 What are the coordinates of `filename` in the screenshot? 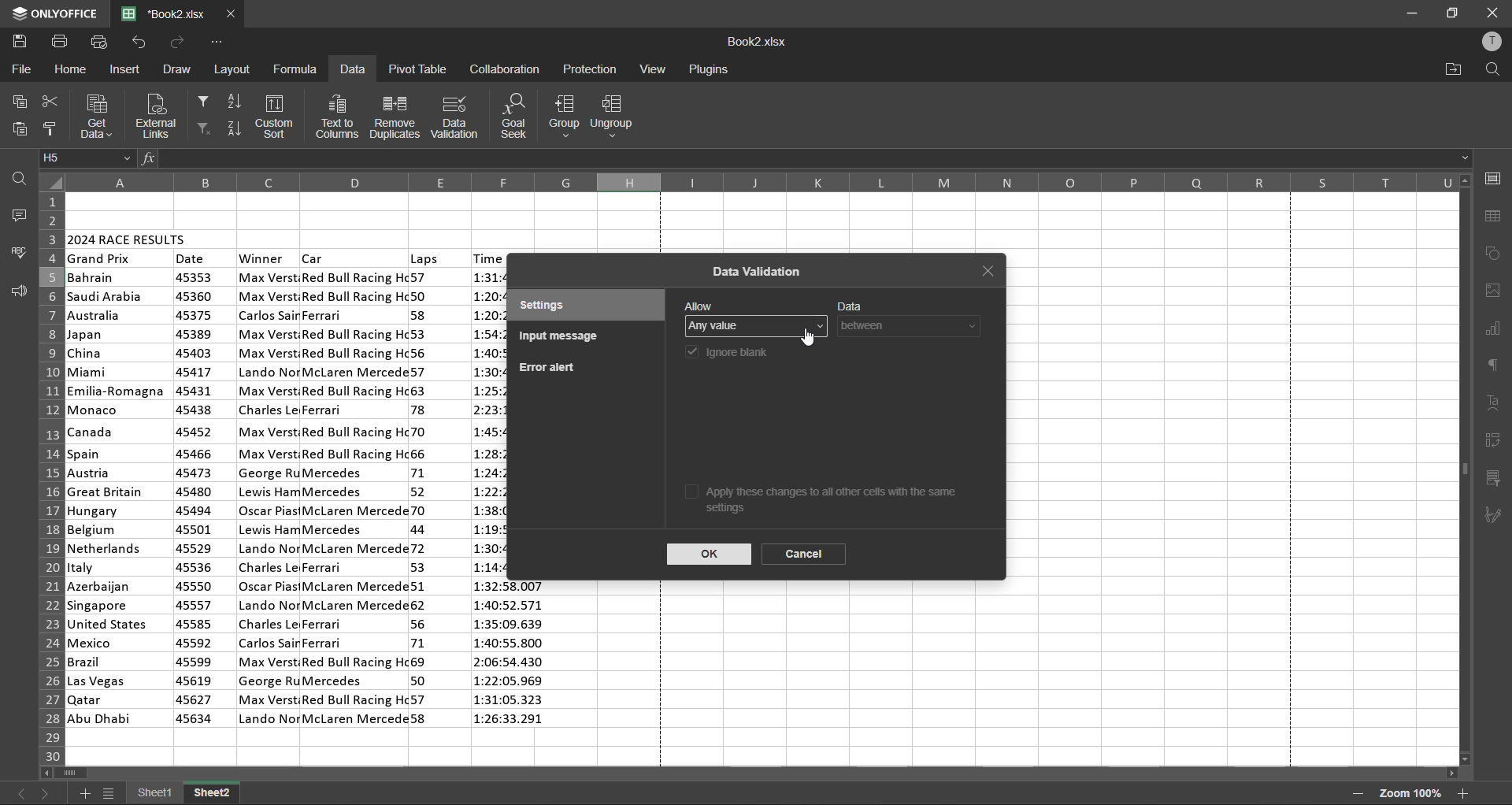 It's located at (169, 13).